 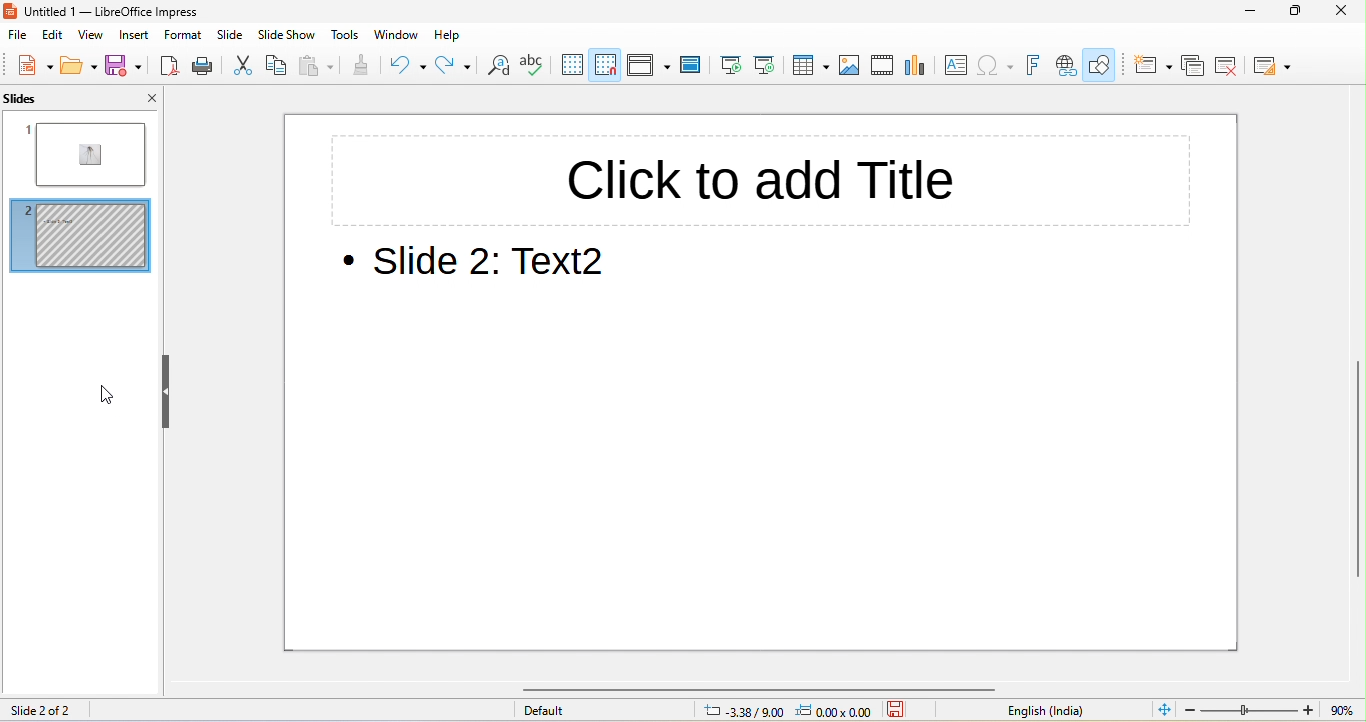 What do you see at coordinates (1273, 710) in the screenshot?
I see `zoom` at bounding box center [1273, 710].